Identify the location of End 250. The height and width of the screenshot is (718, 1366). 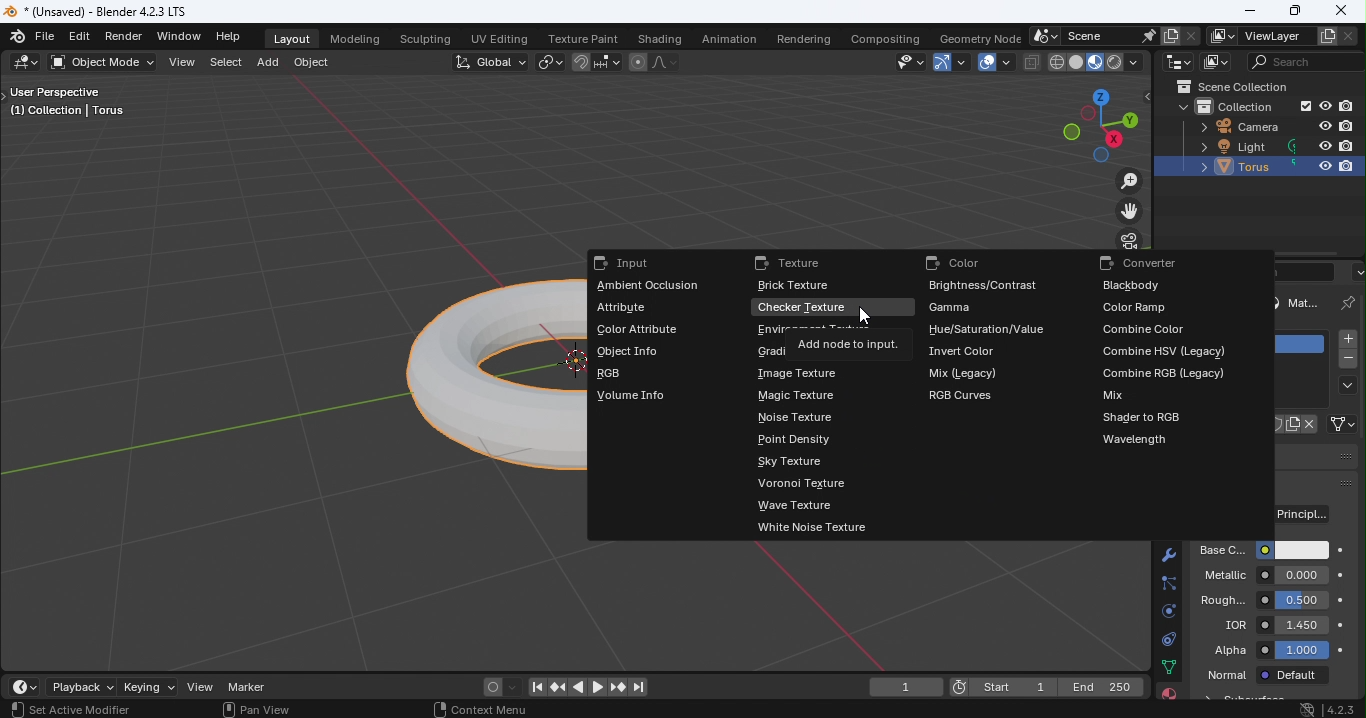
(1099, 688).